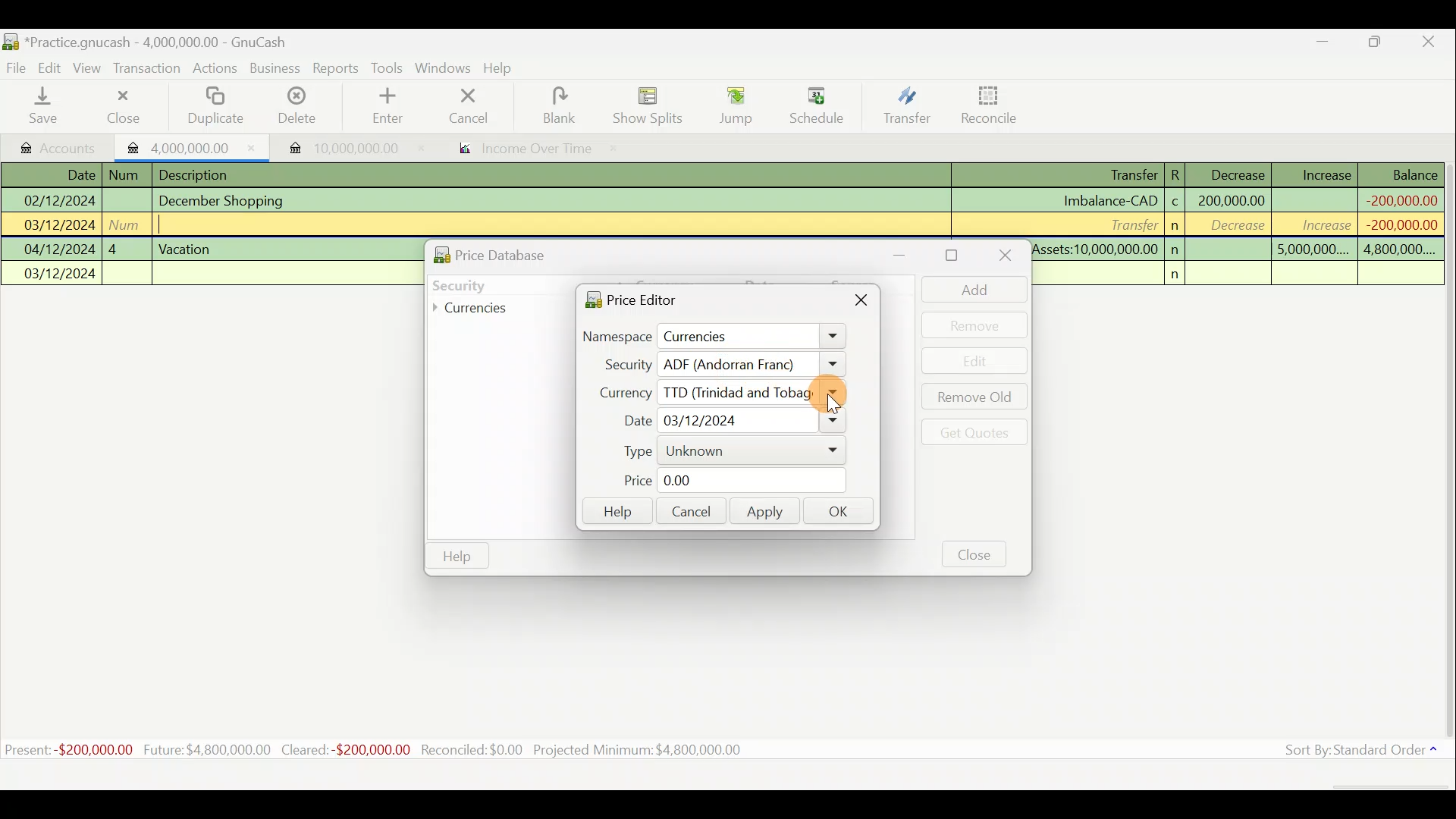 Image resolution: width=1456 pixels, height=819 pixels. What do you see at coordinates (504, 70) in the screenshot?
I see `Help` at bounding box center [504, 70].